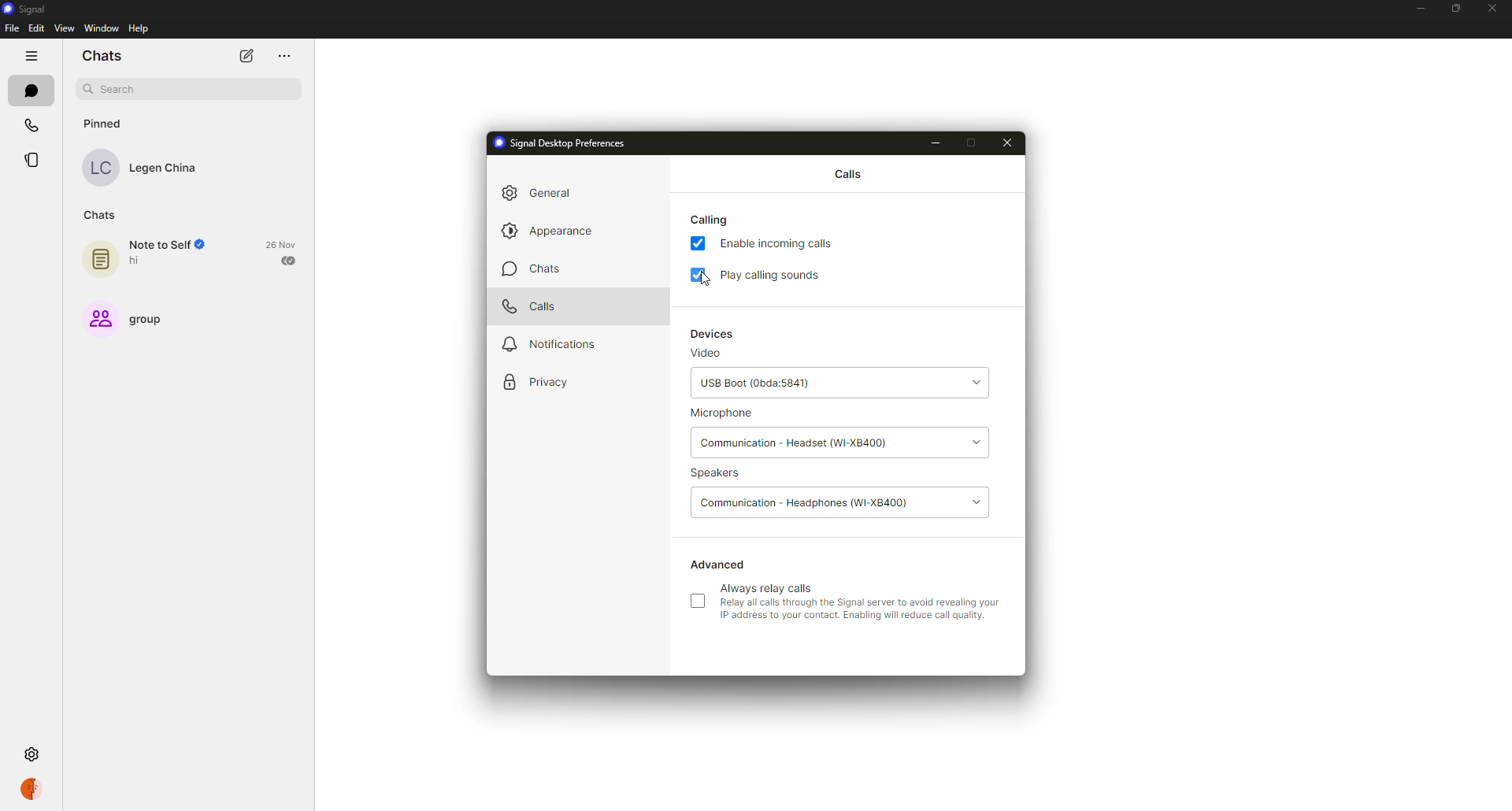 The image size is (1512, 811). Describe the element at coordinates (101, 216) in the screenshot. I see `chats` at that location.